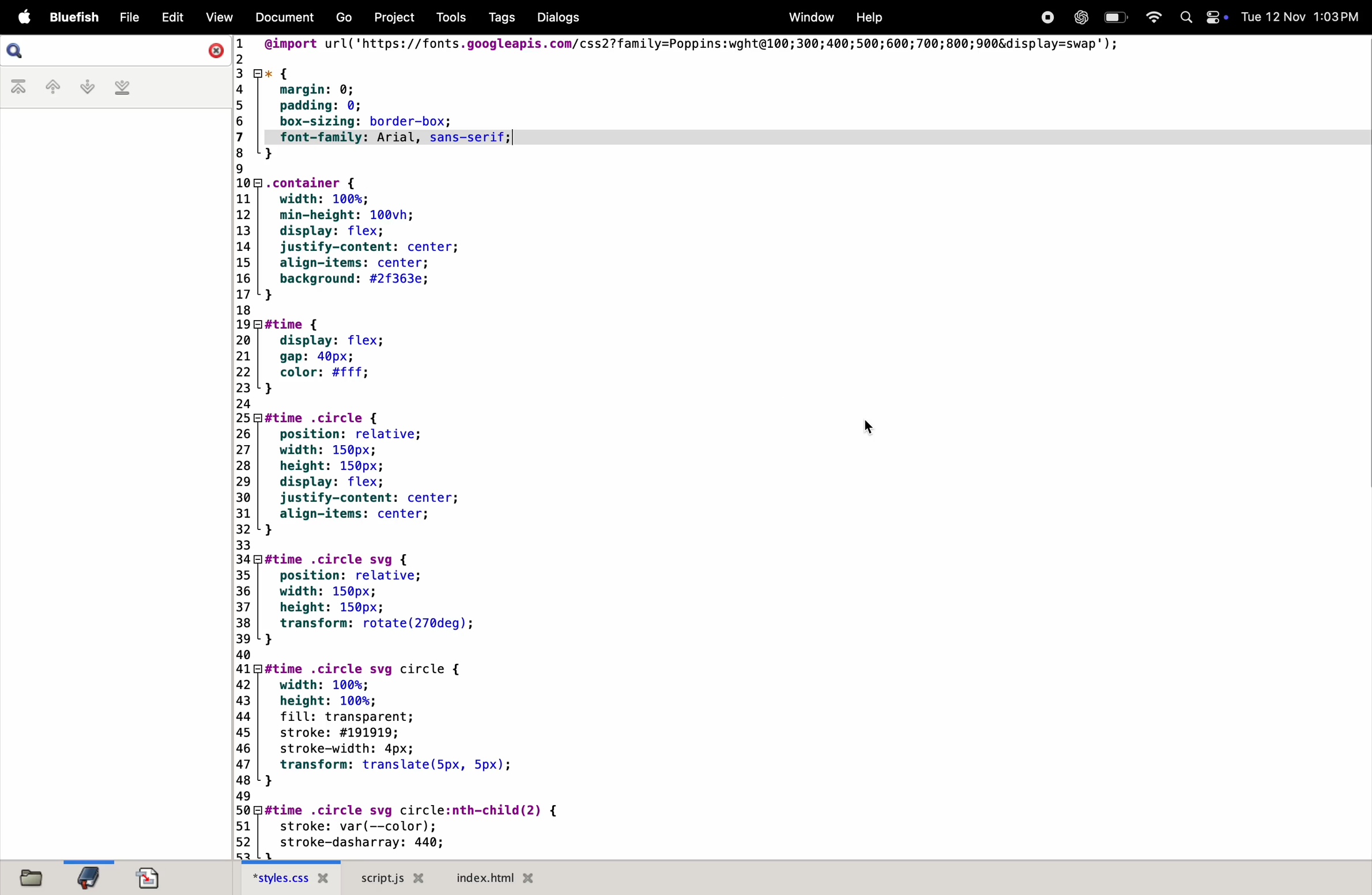 The image size is (1372, 895). What do you see at coordinates (393, 878) in the screenshot?
I see `script.js` at bounding box center [393, 878].